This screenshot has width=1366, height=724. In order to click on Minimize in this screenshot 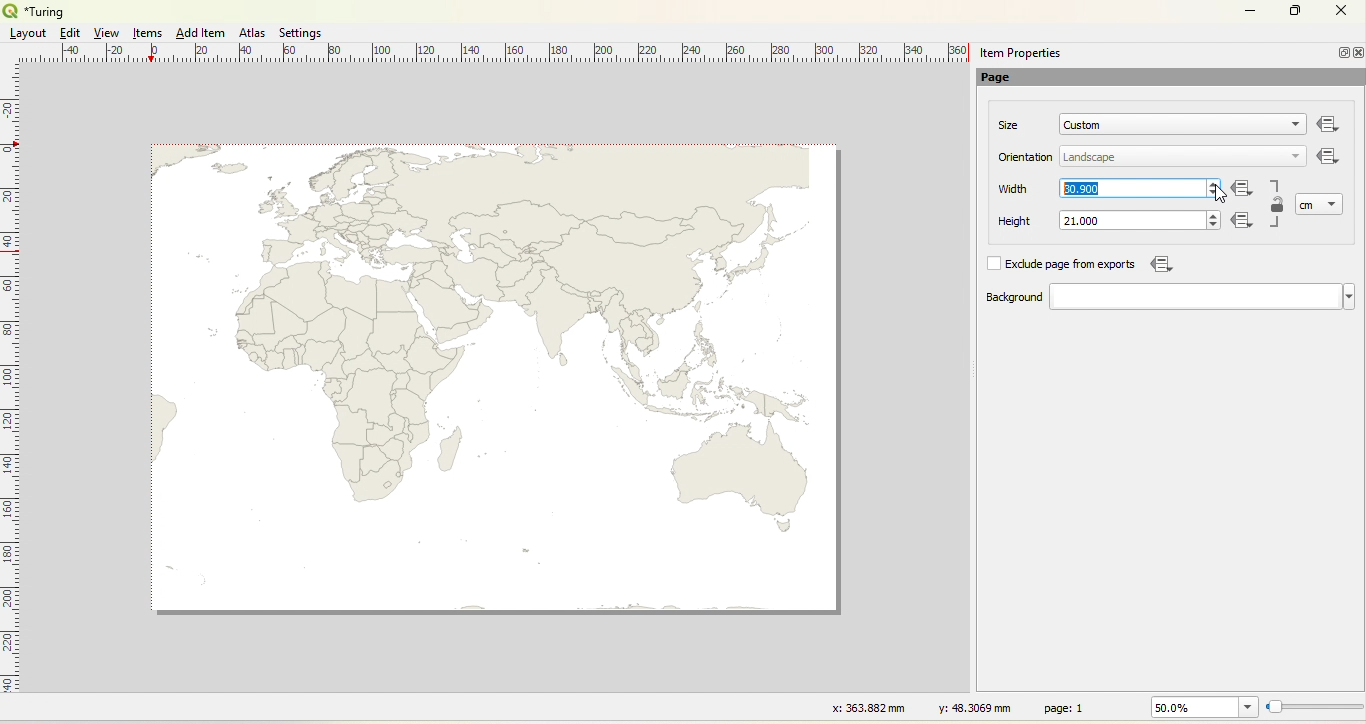, I will do `click(1250, 9)`.